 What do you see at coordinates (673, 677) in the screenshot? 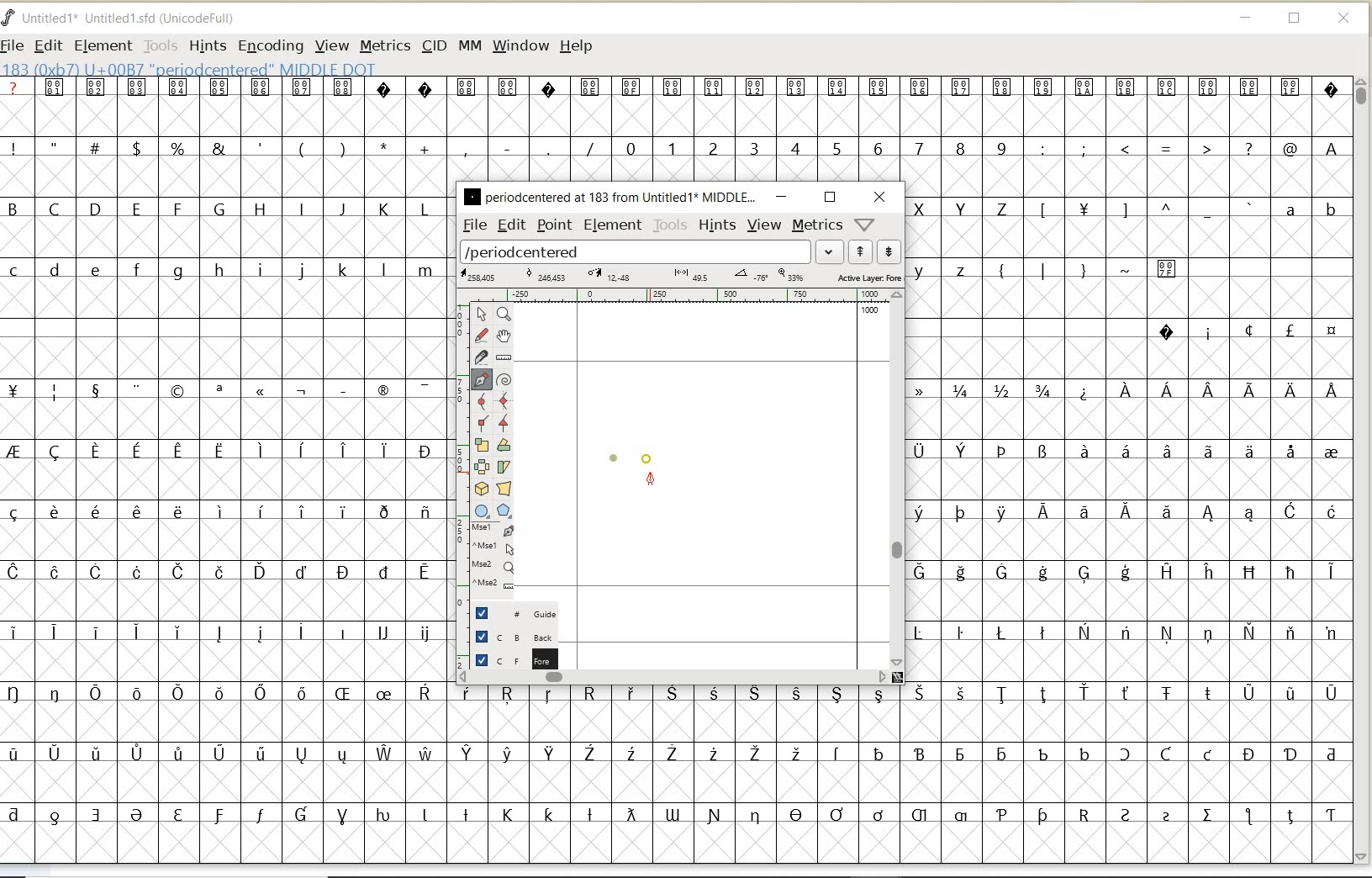
I see `scrollbar` at bounding box center [673, 677].